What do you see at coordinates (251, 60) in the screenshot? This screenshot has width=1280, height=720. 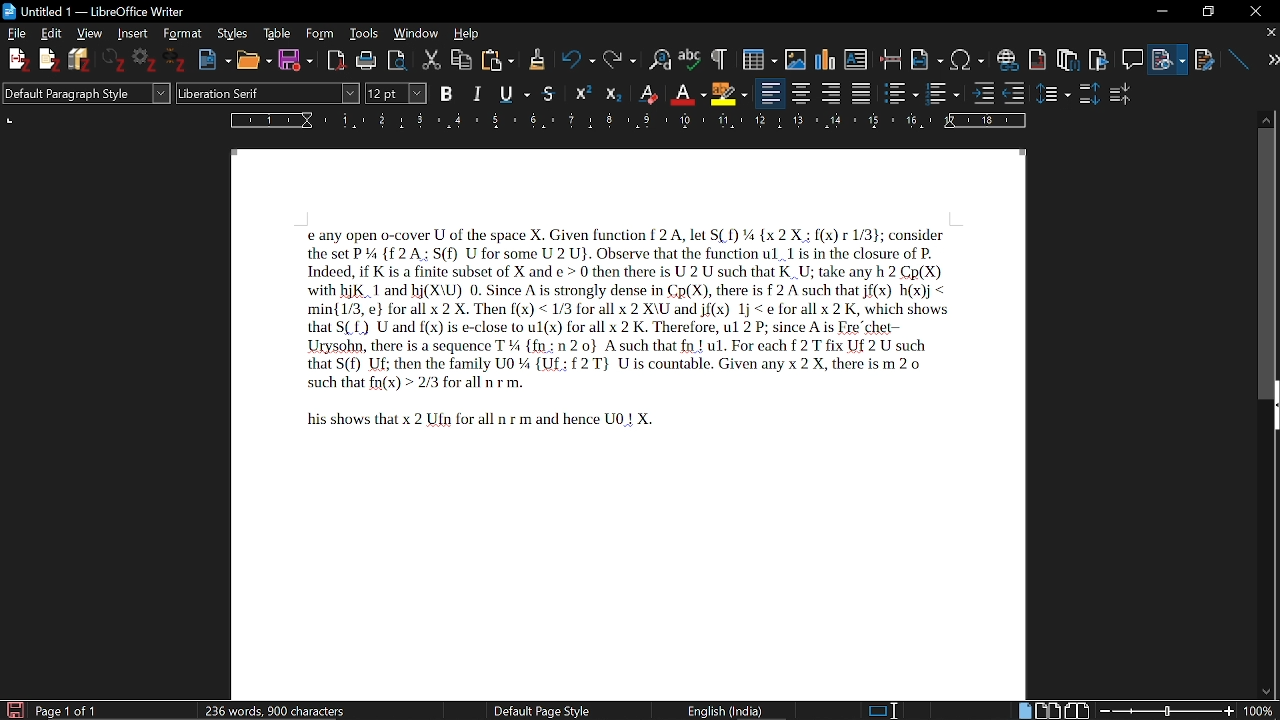 I see `Open` at bounding box center [251, 60].